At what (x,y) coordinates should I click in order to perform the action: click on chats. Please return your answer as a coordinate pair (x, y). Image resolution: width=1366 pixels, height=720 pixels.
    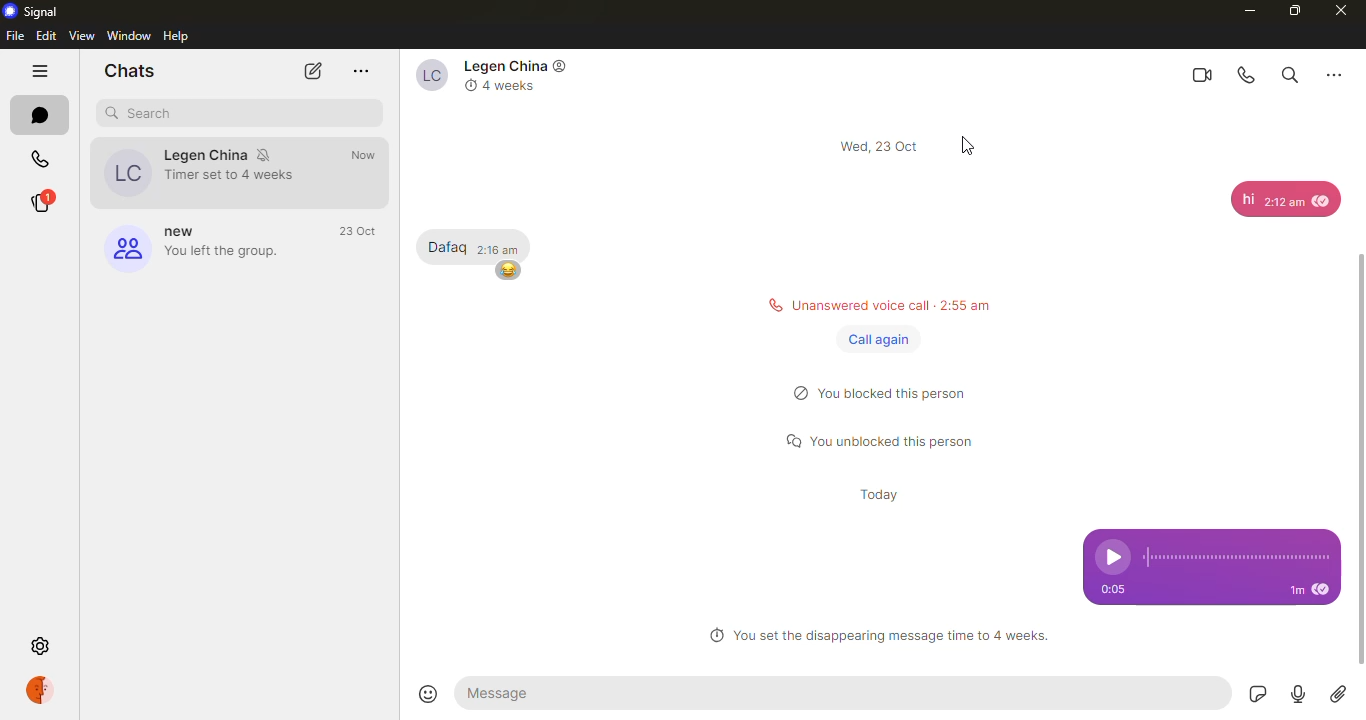
    Looking at the image, I should click on (43, 113).